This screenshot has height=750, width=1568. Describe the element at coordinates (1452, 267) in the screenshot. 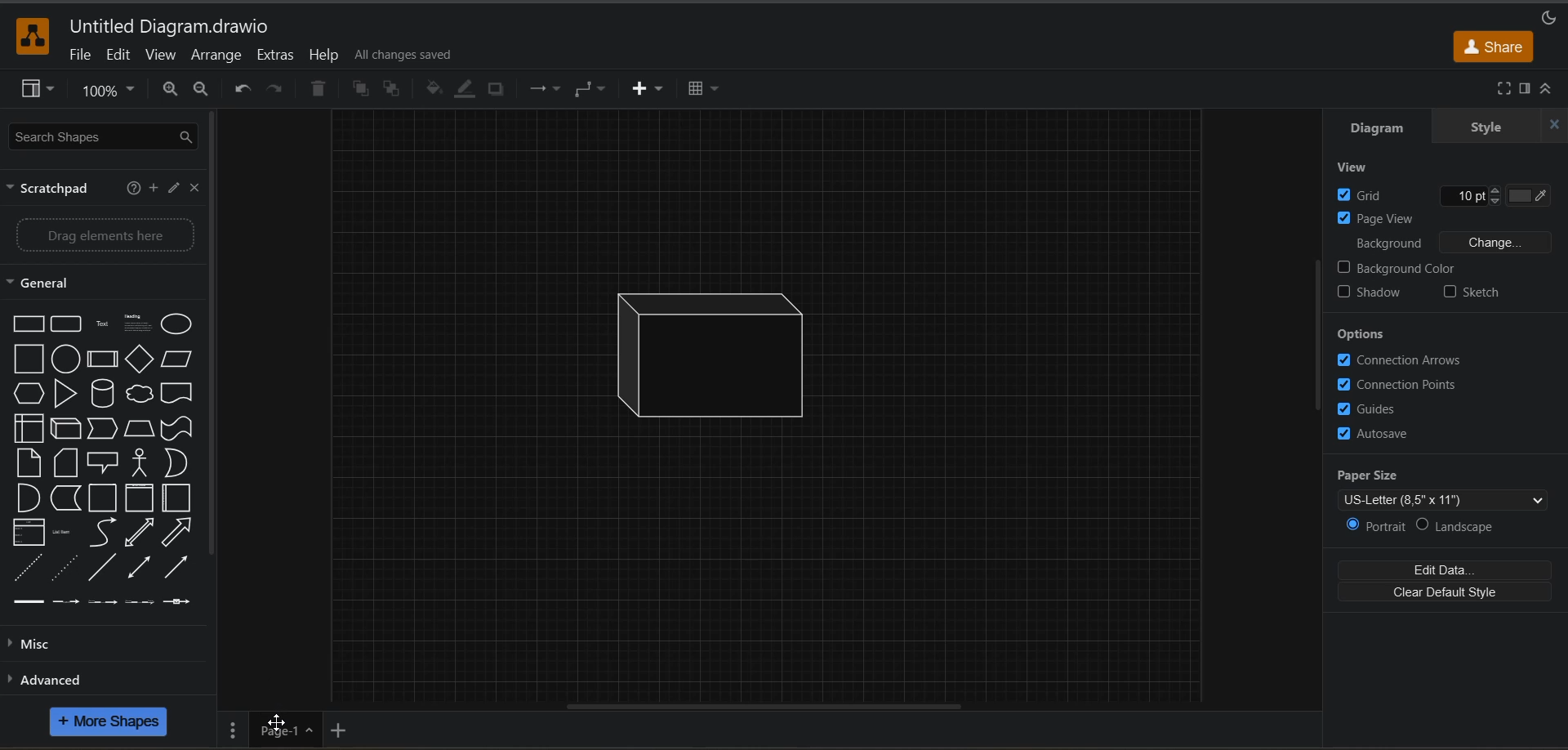

I see `background color` at that location.